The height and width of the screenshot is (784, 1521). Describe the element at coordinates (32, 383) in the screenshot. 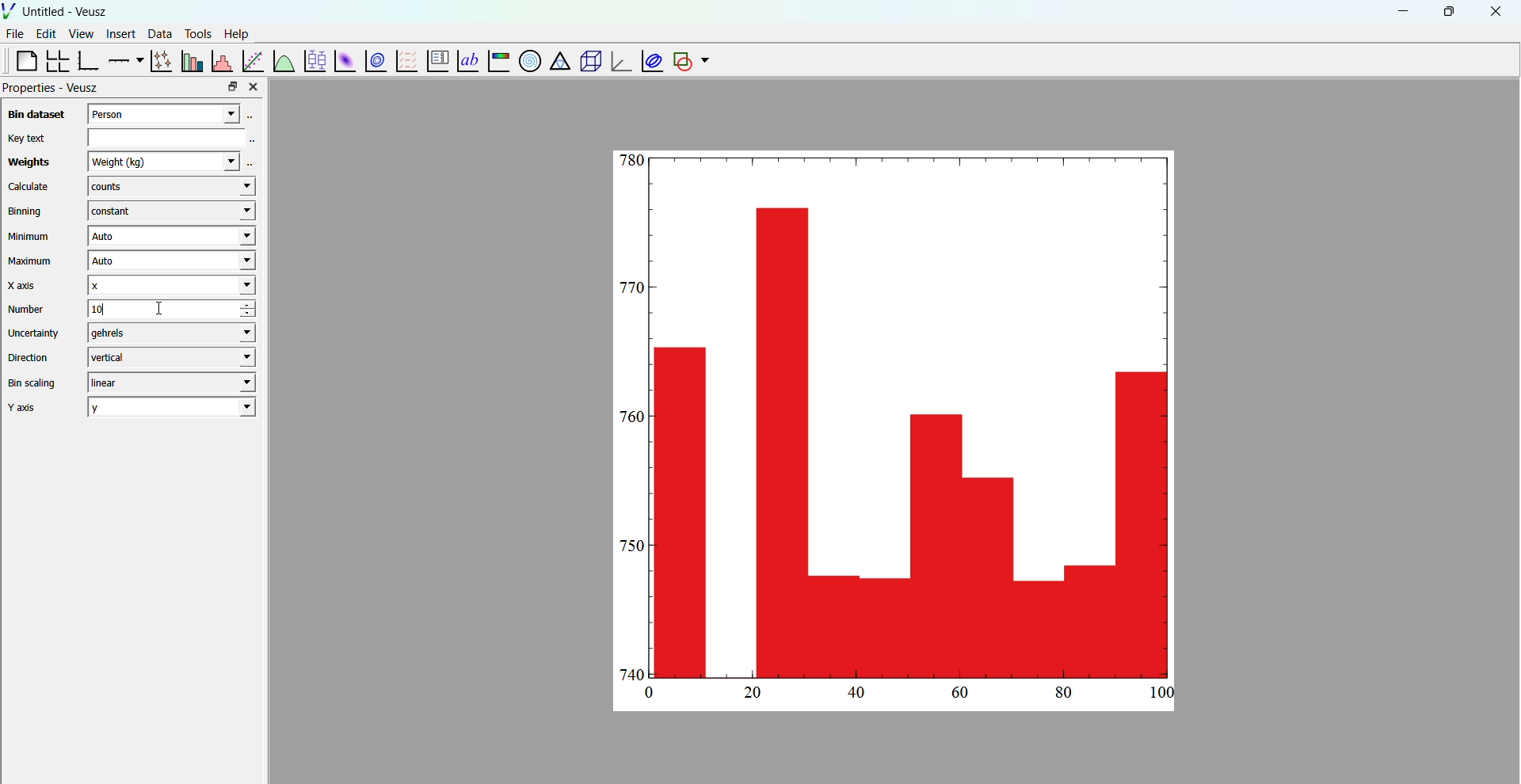

I see `Bin scaling` at that location.